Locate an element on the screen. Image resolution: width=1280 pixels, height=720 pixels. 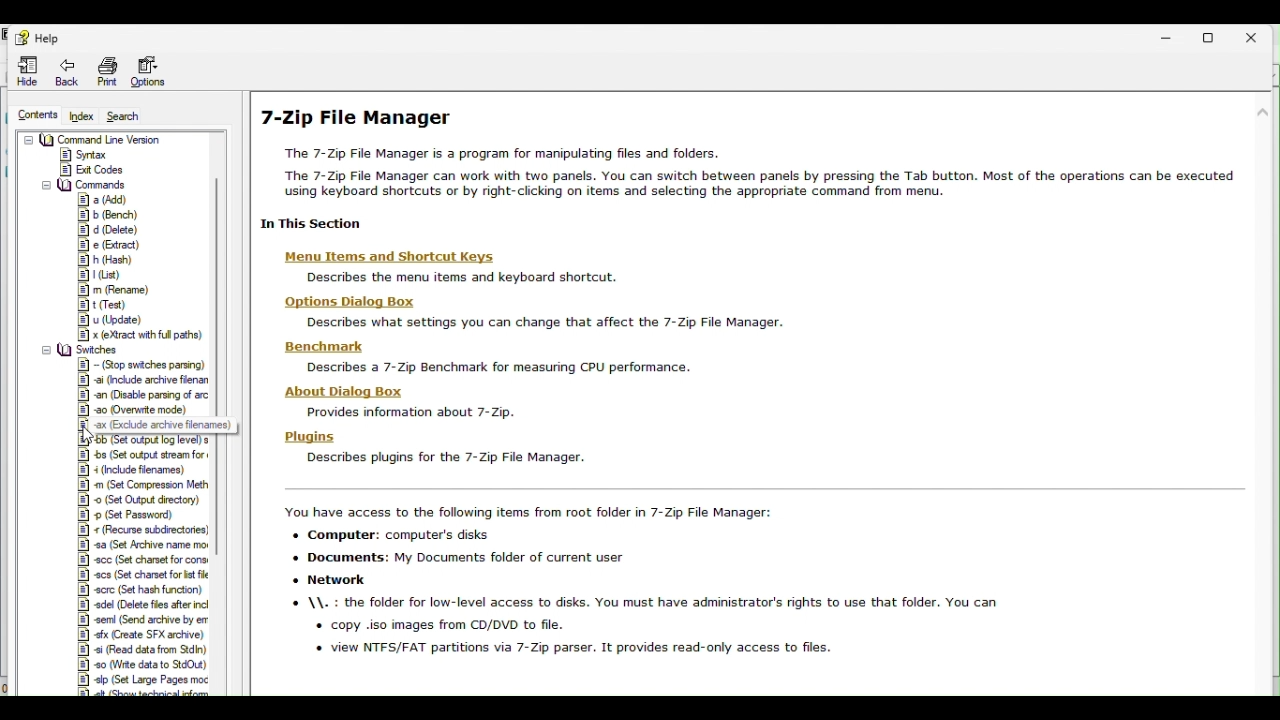
Print is located at coordinates (106, 69).